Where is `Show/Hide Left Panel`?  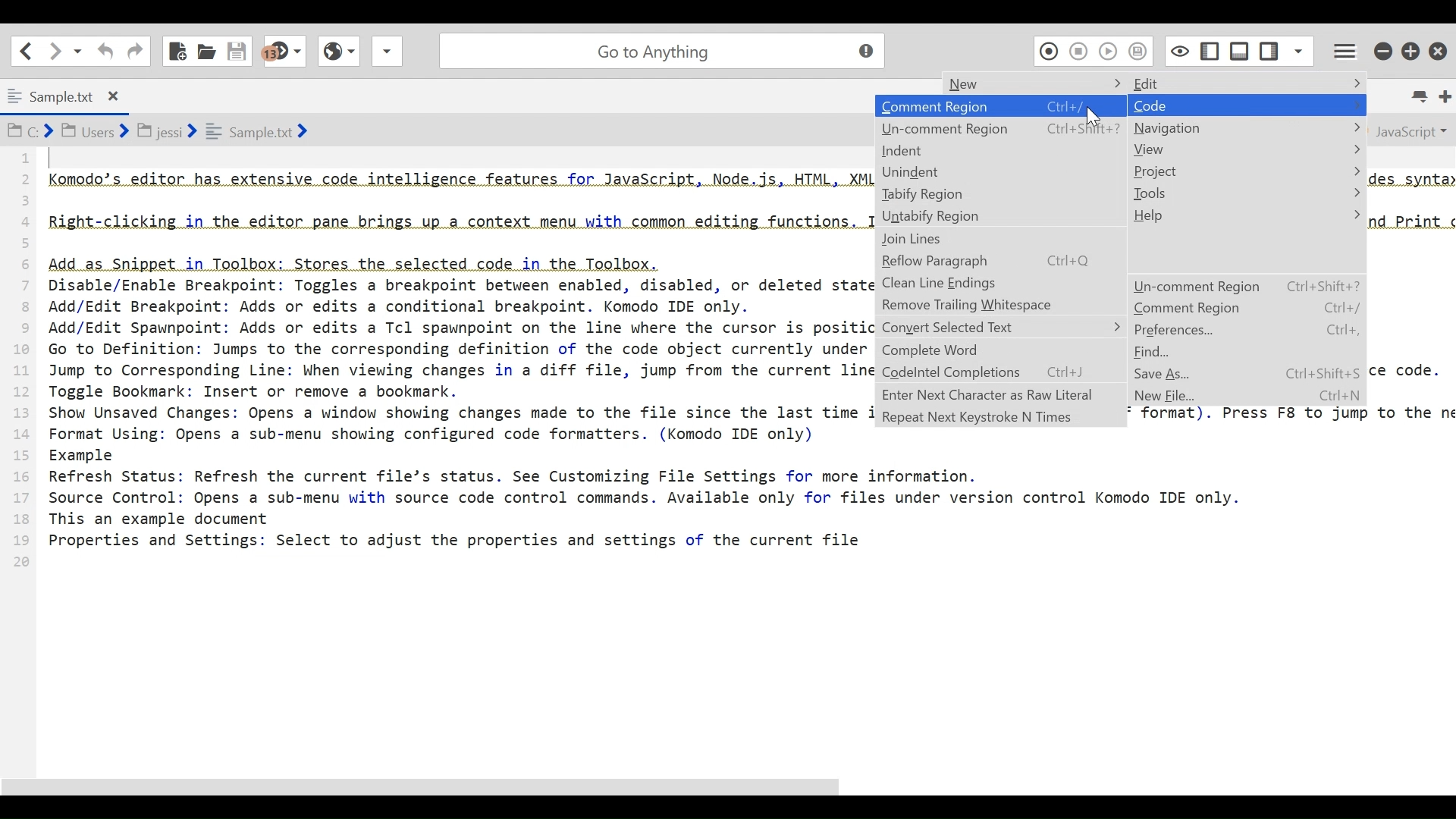
Show/Hide Left Panel is located at coordinates (1270, 48).